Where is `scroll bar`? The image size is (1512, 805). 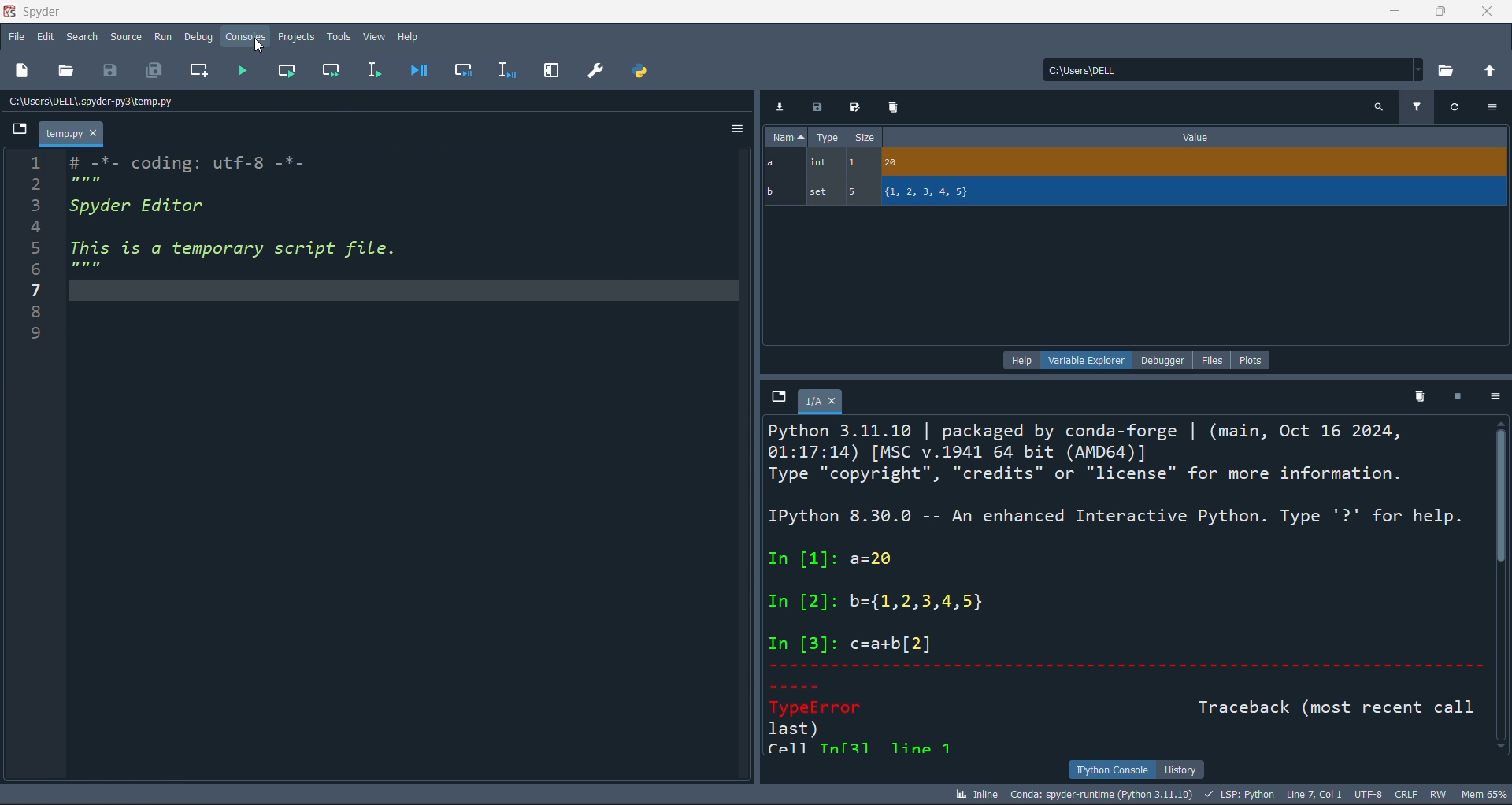 scroll bar is located at coordinates (1503, 589).